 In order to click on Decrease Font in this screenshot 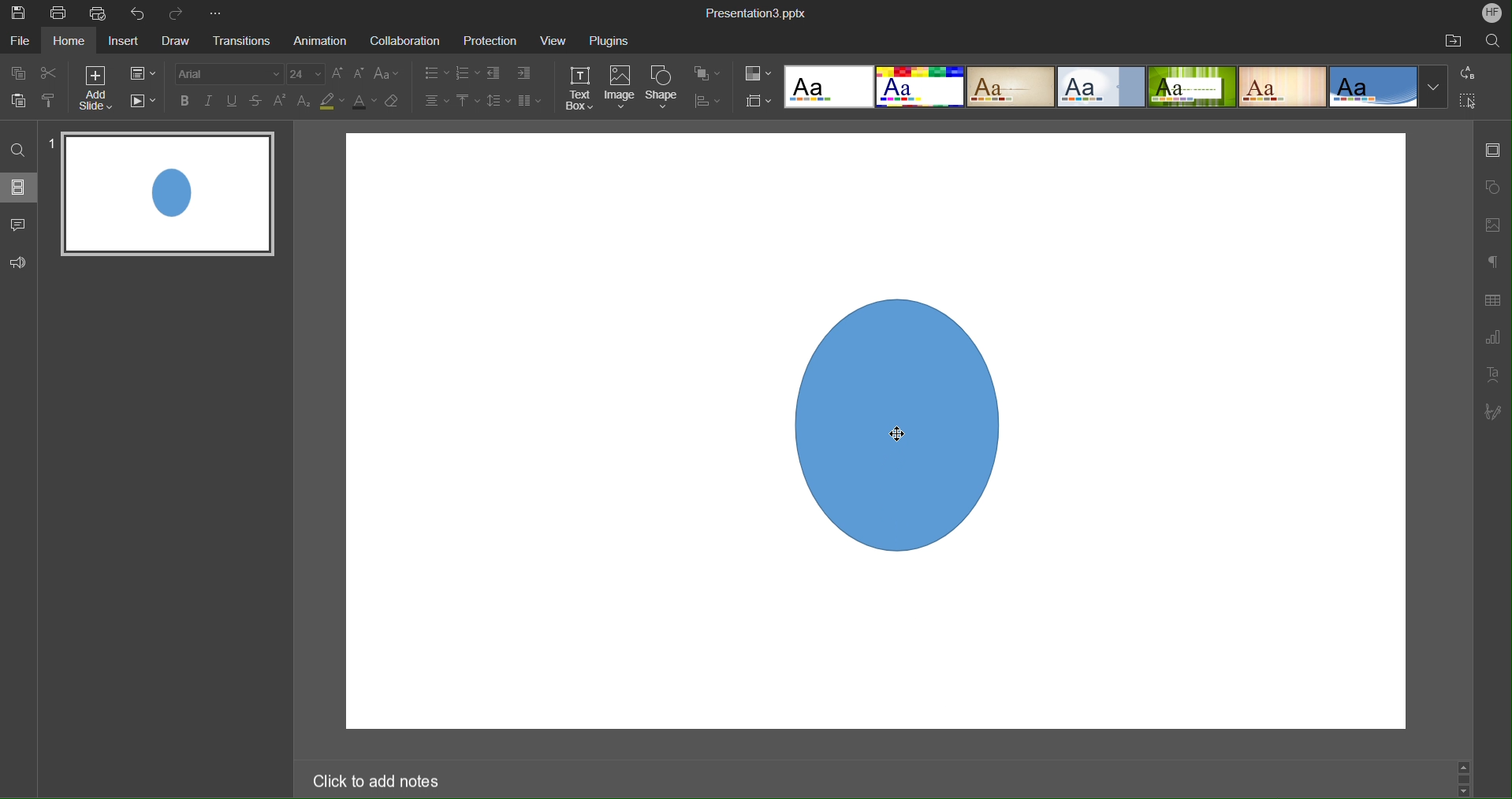, I will do `click(360, 74)`.